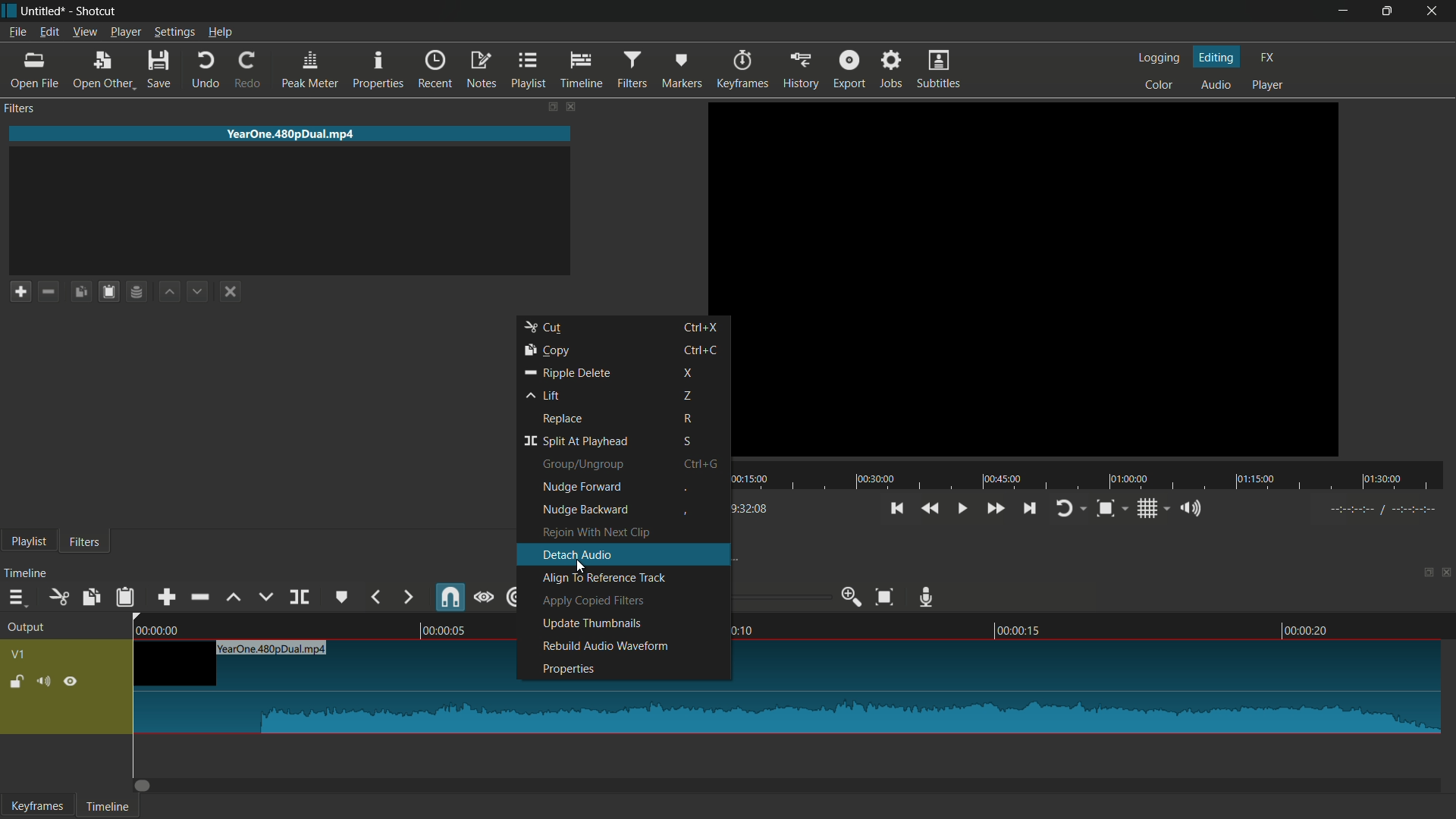 The height and width of the screenshot is (819, 1456). I want to click on preview window, so click(1032, 278).